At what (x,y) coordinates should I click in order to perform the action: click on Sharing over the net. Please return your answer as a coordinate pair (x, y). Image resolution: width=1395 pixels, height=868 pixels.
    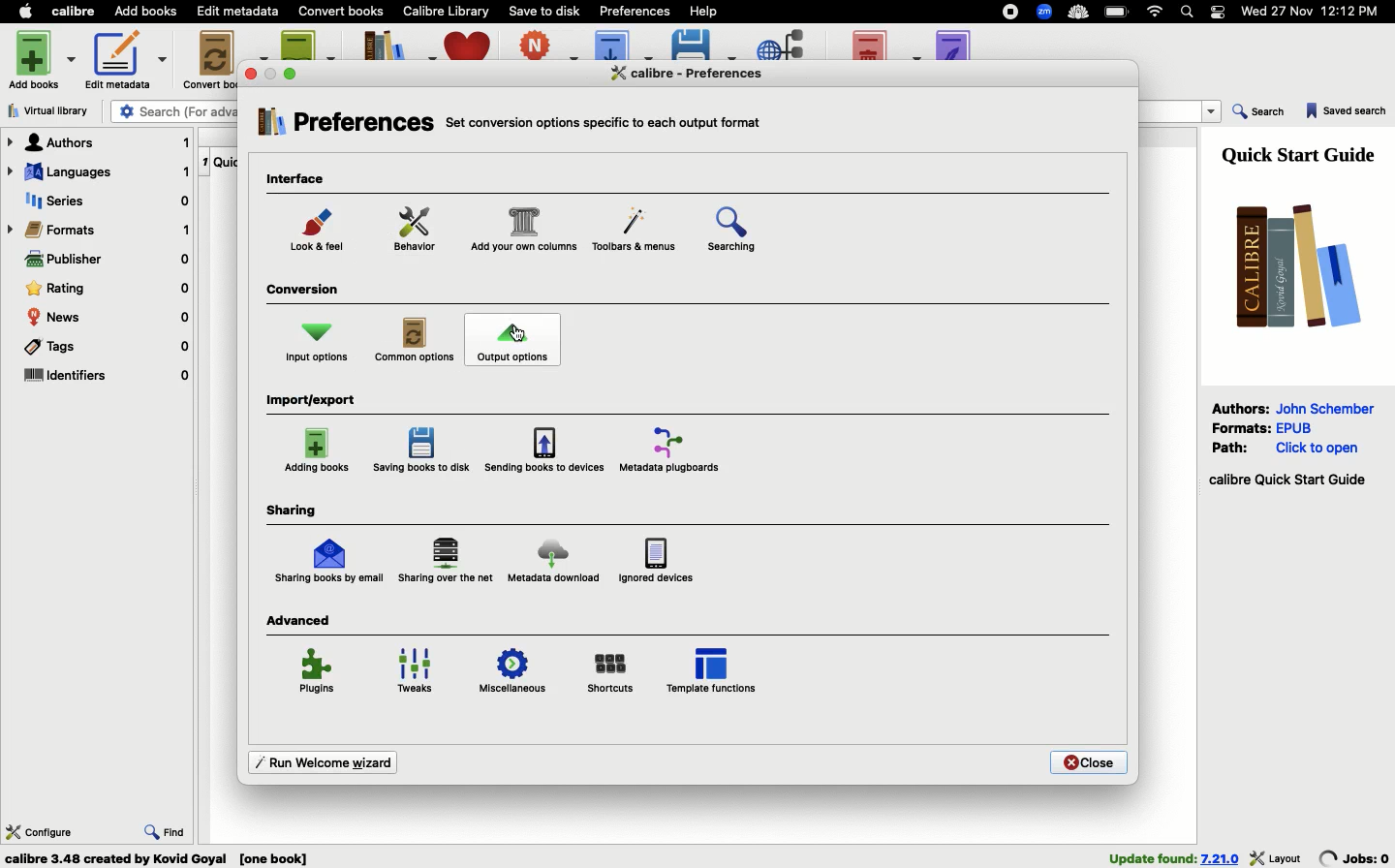
    Looking at the image, I should click on (448, 561).